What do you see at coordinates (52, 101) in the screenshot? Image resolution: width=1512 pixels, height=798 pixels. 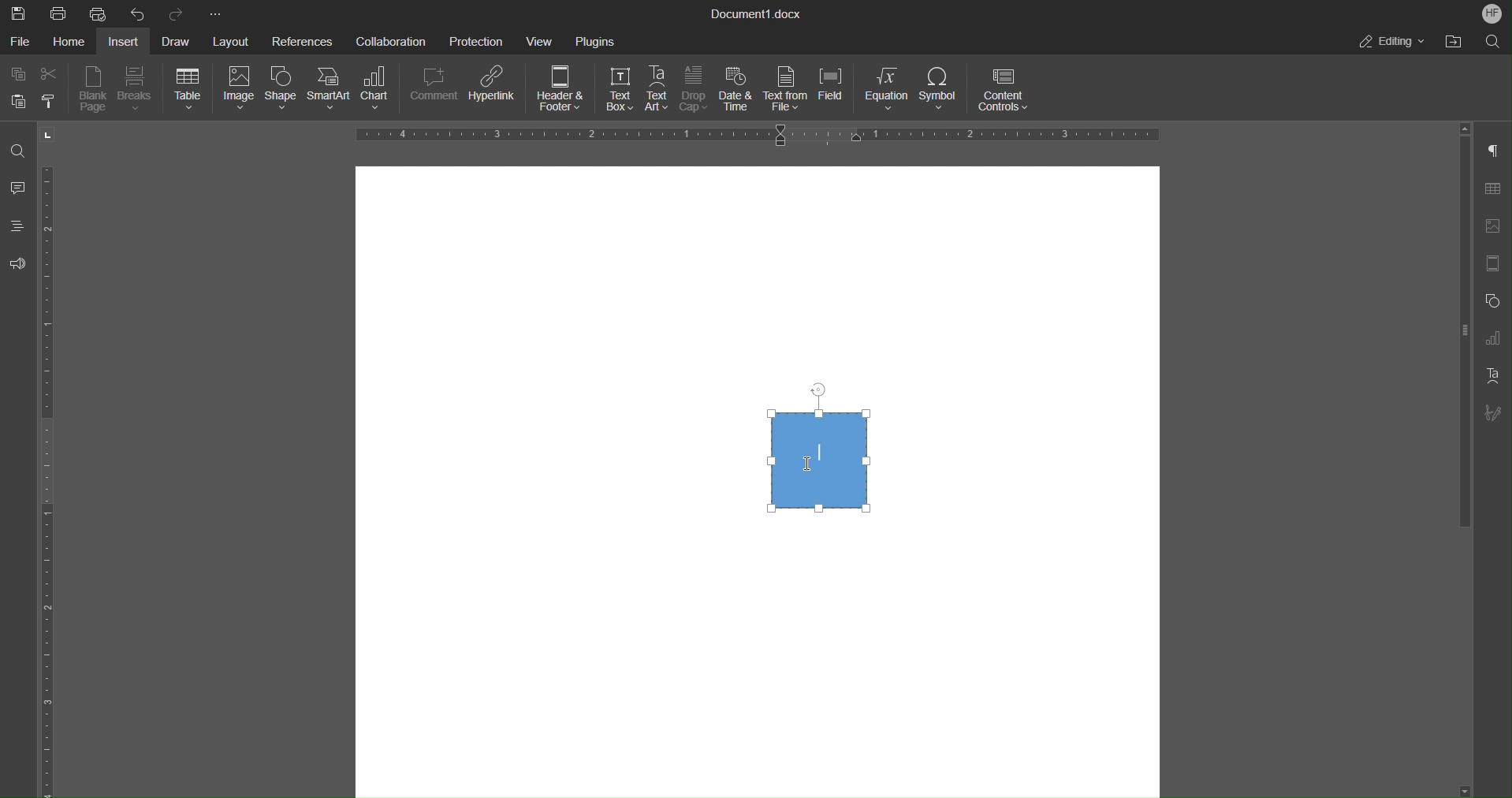 I see `Copy Style` at bounding box center [52, 101].